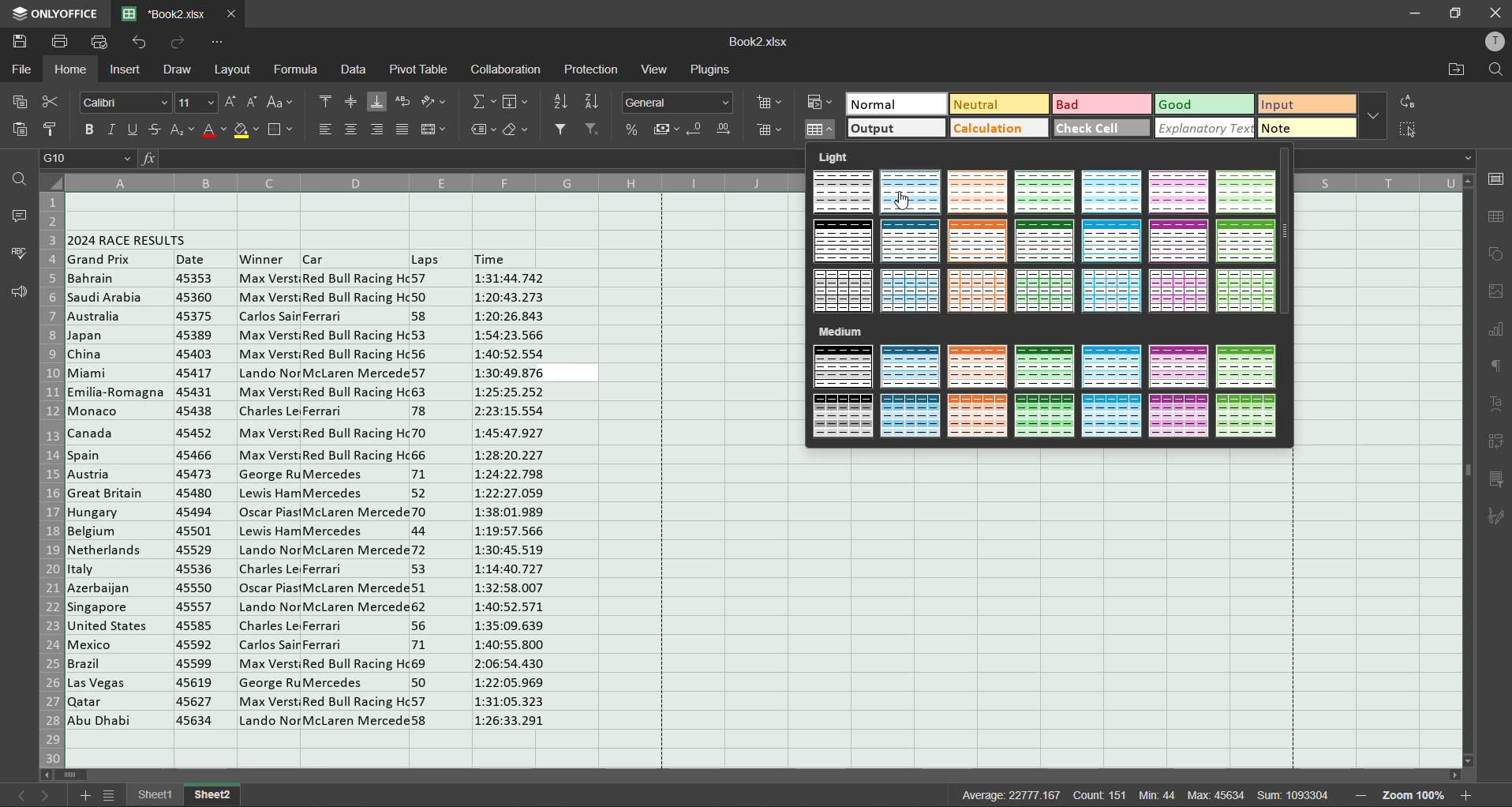 Image resolution: width=1512 pixels, height=807 pixels. What do you see at coordinates (20, 217) in the screenshot?
I see `comments` at bounding box center [20, 217].